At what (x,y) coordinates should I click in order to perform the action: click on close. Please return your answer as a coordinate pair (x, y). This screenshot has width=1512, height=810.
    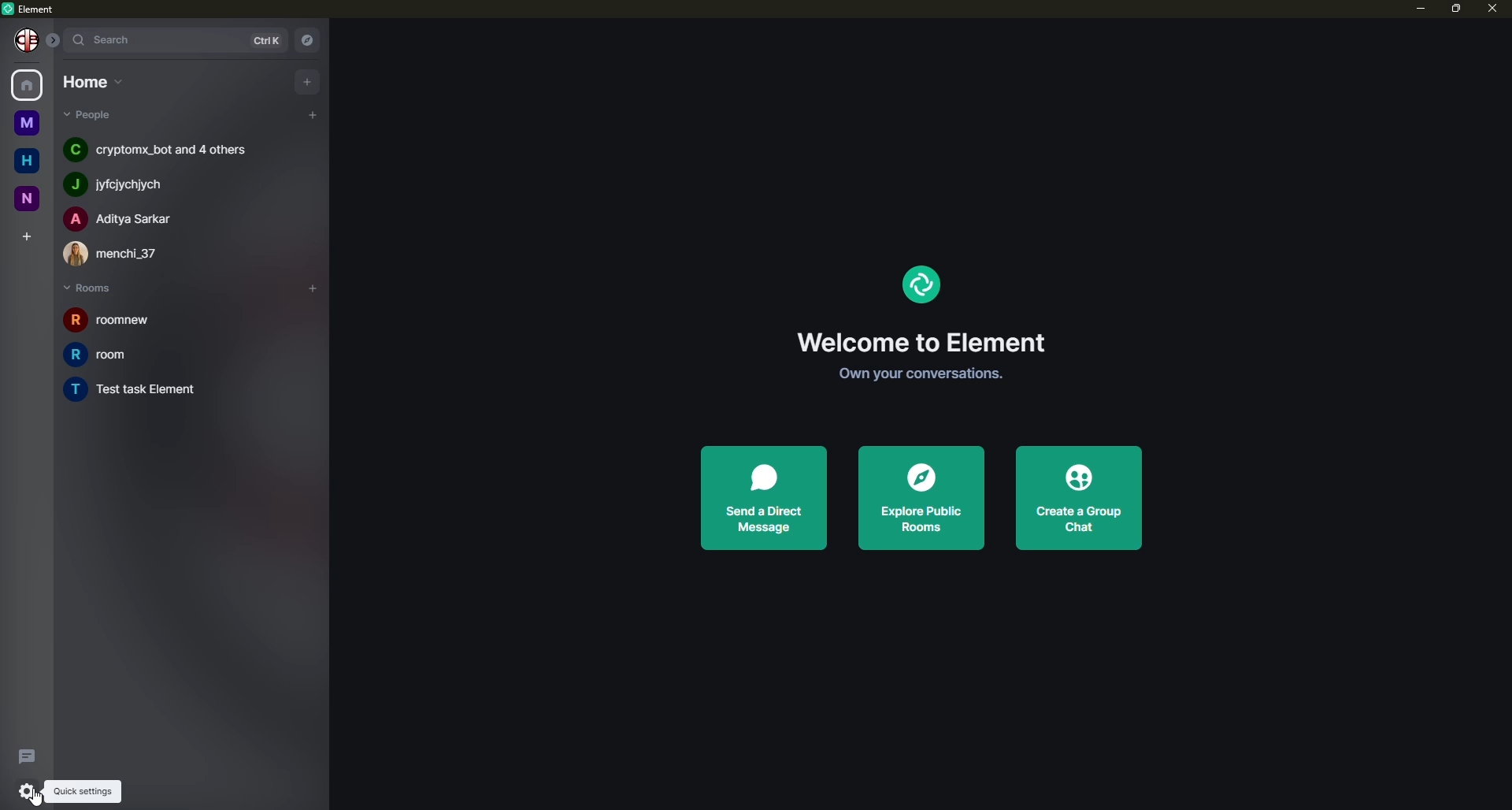
    Looking at the image, I should click on (1493, 9).